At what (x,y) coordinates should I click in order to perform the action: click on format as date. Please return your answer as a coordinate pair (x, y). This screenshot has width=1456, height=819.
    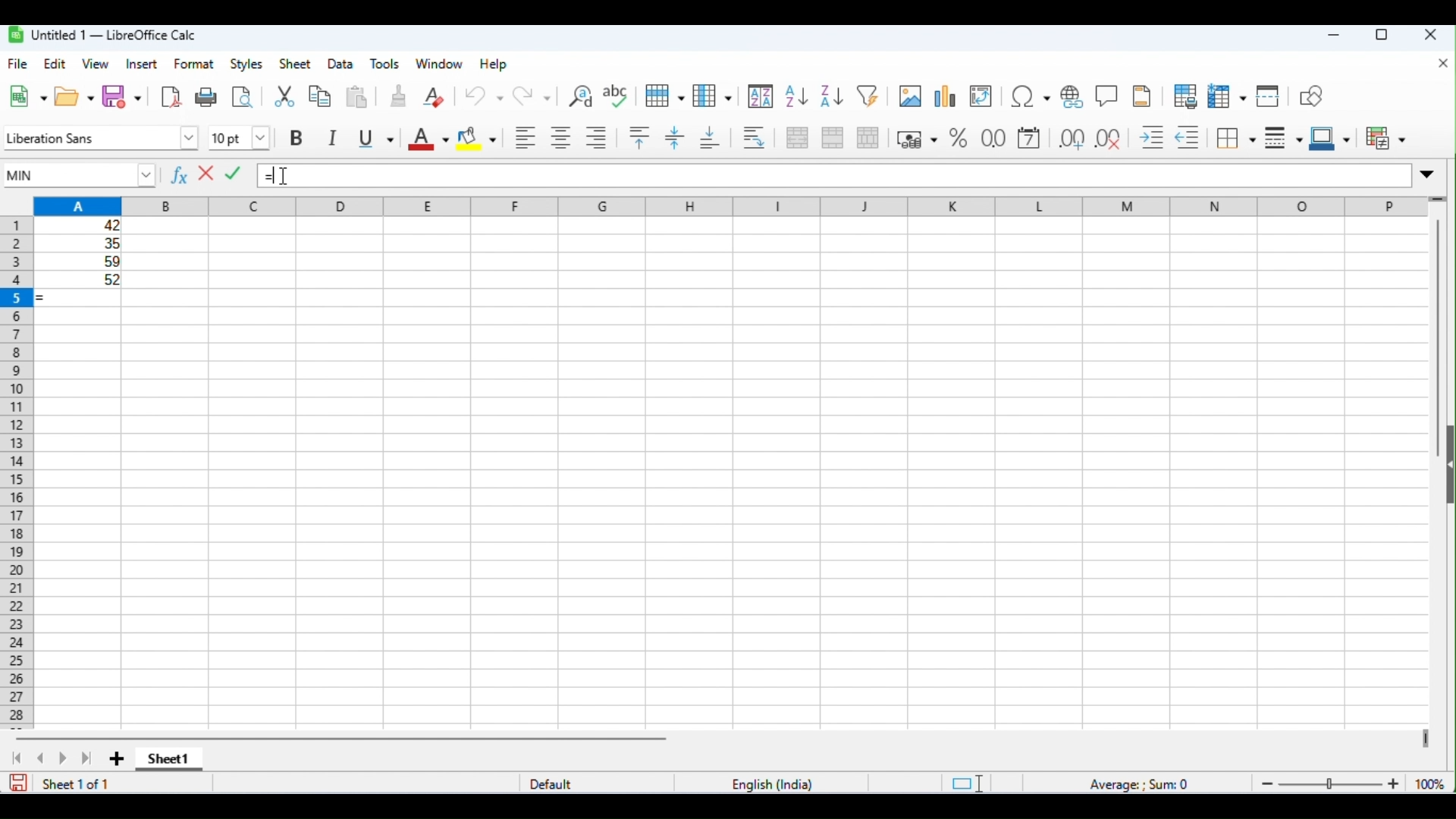
    Looking at the image, I should click on (1029, 138).